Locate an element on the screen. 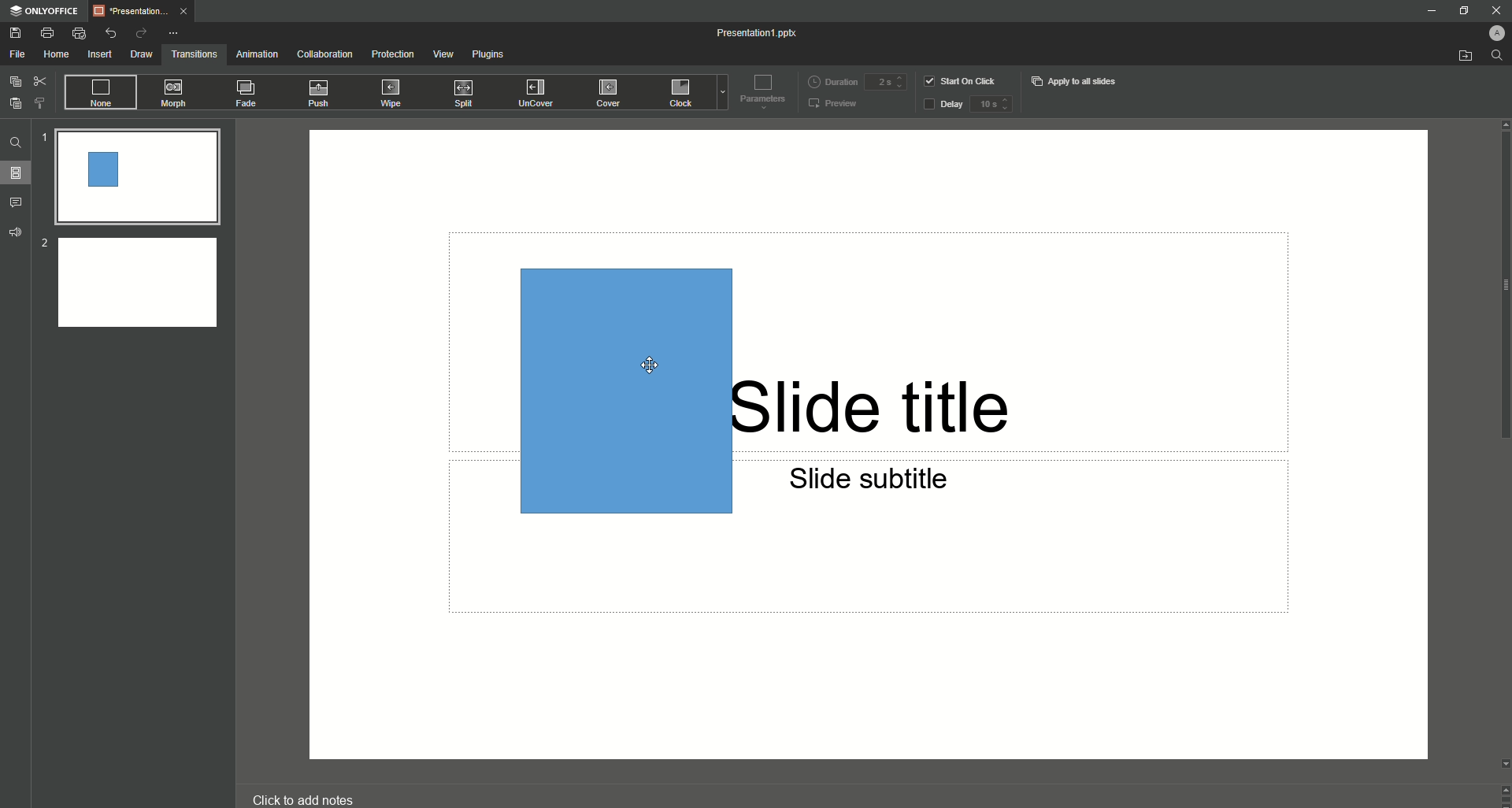  Open from file is located at coordinates (1458, 55).